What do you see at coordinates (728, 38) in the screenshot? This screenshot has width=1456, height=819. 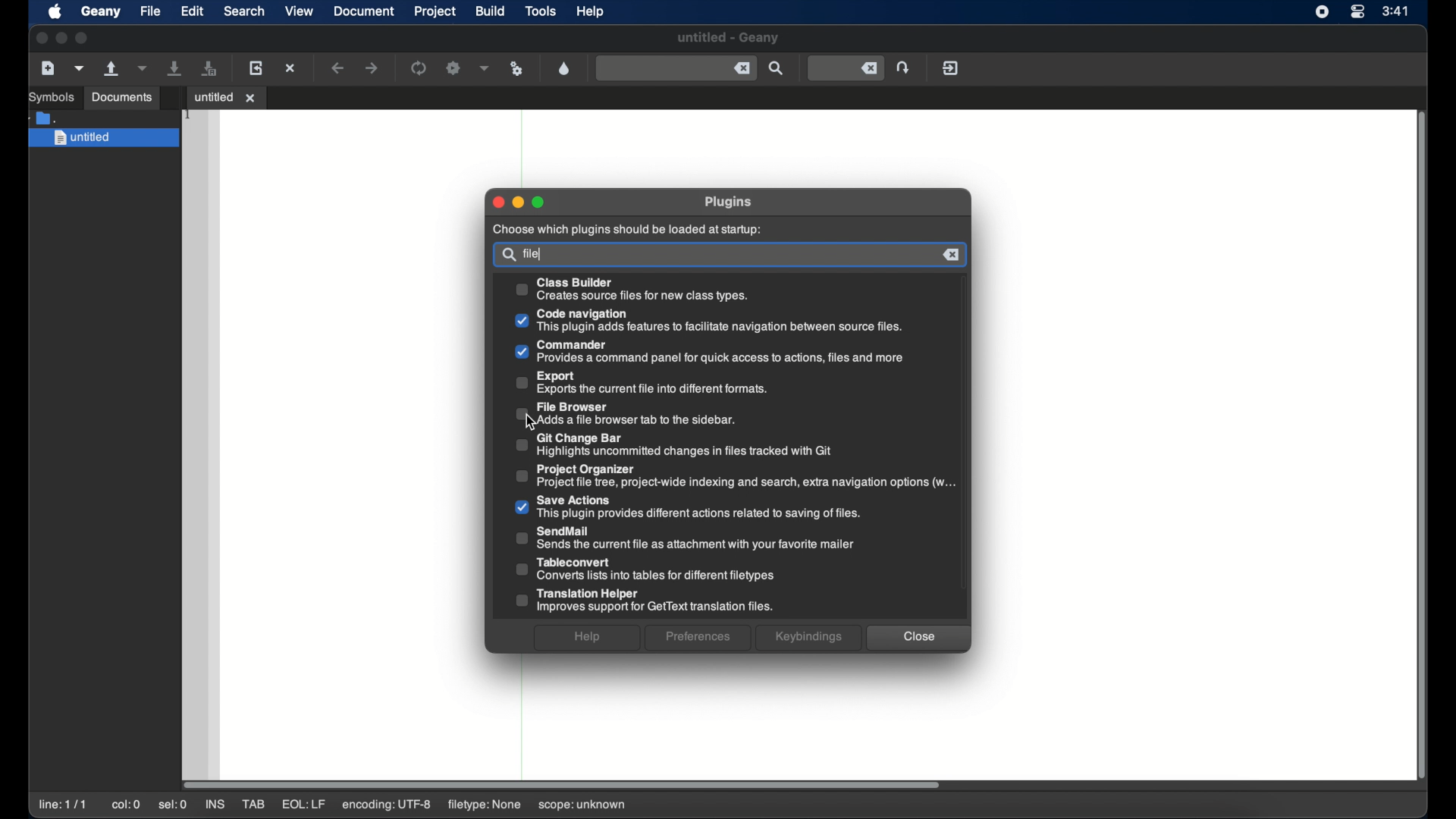 I see `untitled - geany` at bounding box center [728, 38].